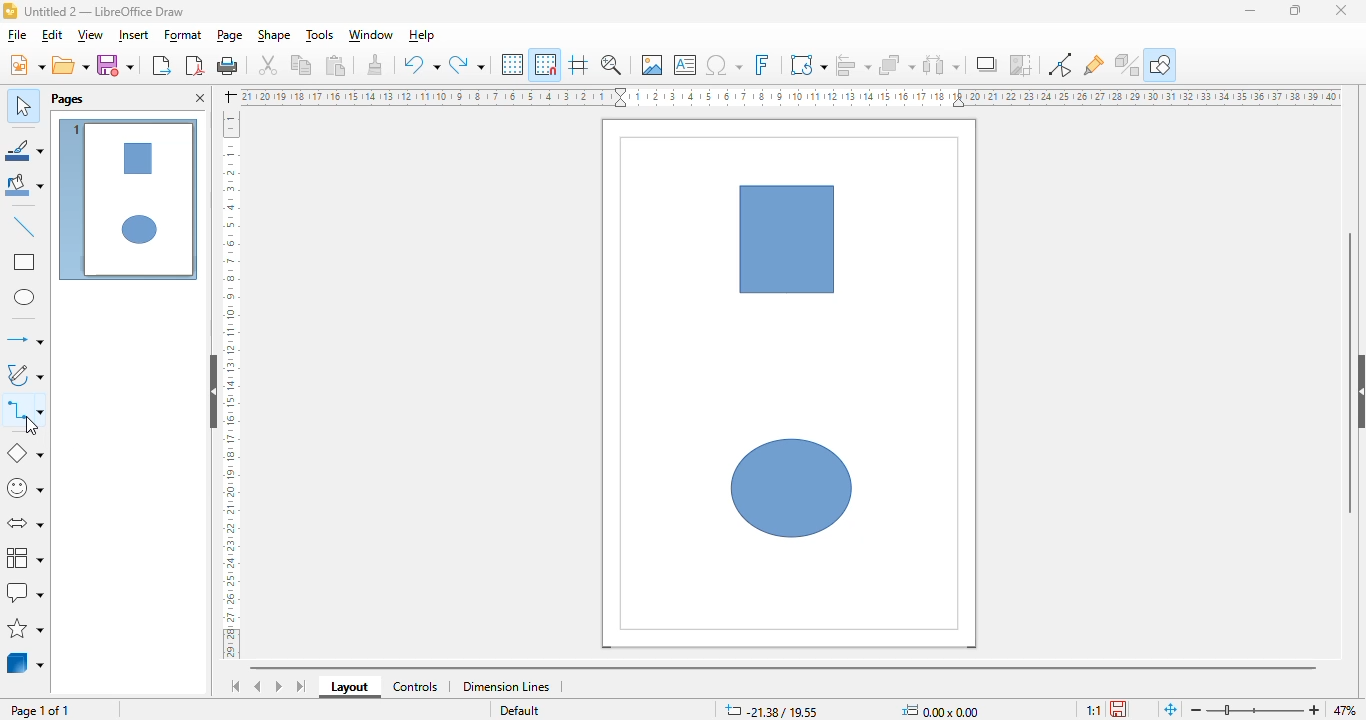 This screenshot has width=1366, height=720. I want to click on select at least three objects to distribute, so click(942, 65).